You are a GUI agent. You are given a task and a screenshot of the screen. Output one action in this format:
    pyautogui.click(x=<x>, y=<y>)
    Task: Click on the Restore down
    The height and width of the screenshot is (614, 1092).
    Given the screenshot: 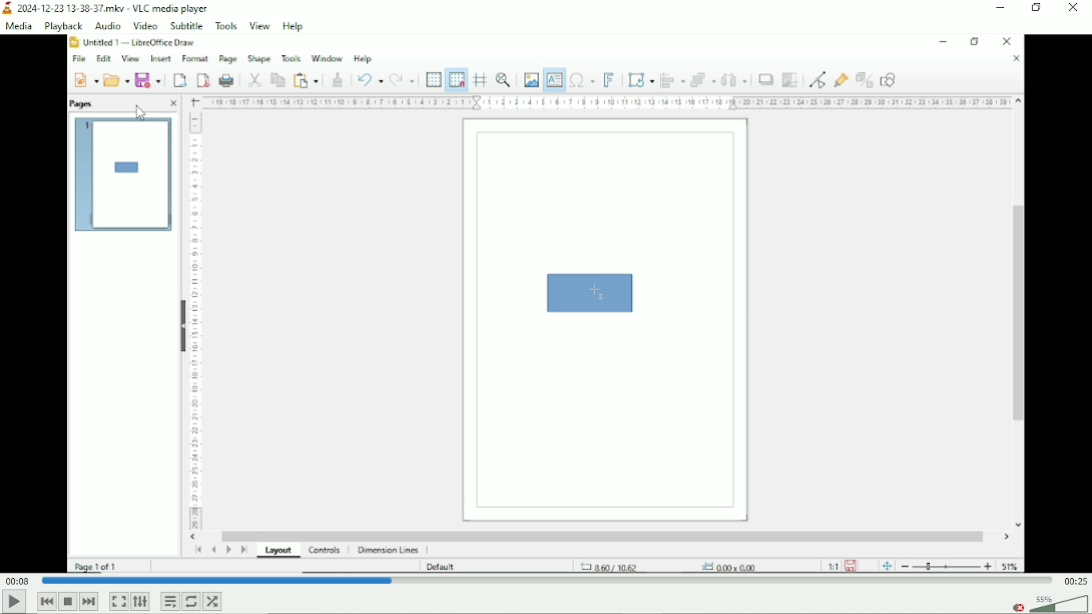 What is the action you would take?
    pyautogui.click(x=1038, y=9)
    